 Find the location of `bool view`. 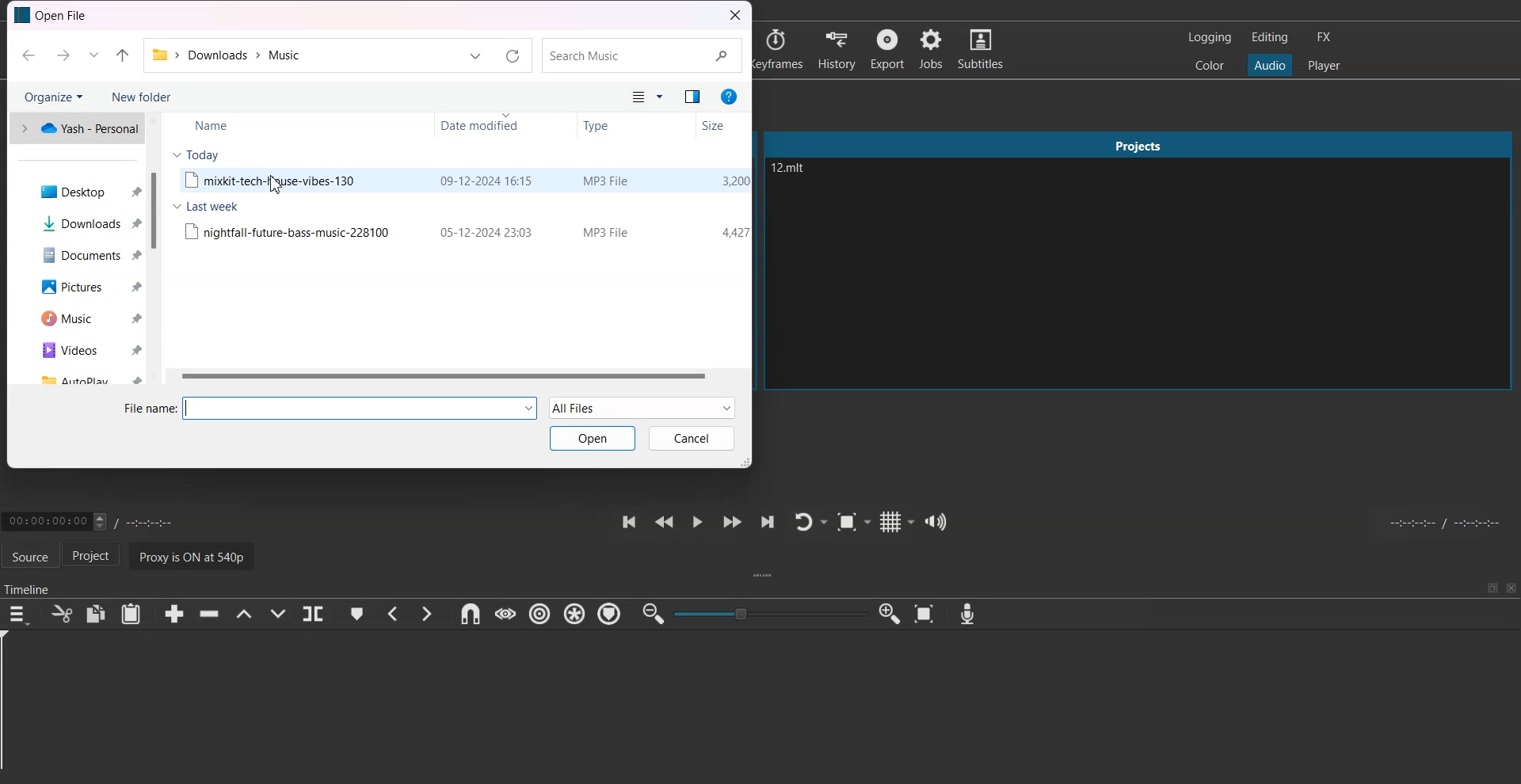

bool view is located at coordinates (694, 98).